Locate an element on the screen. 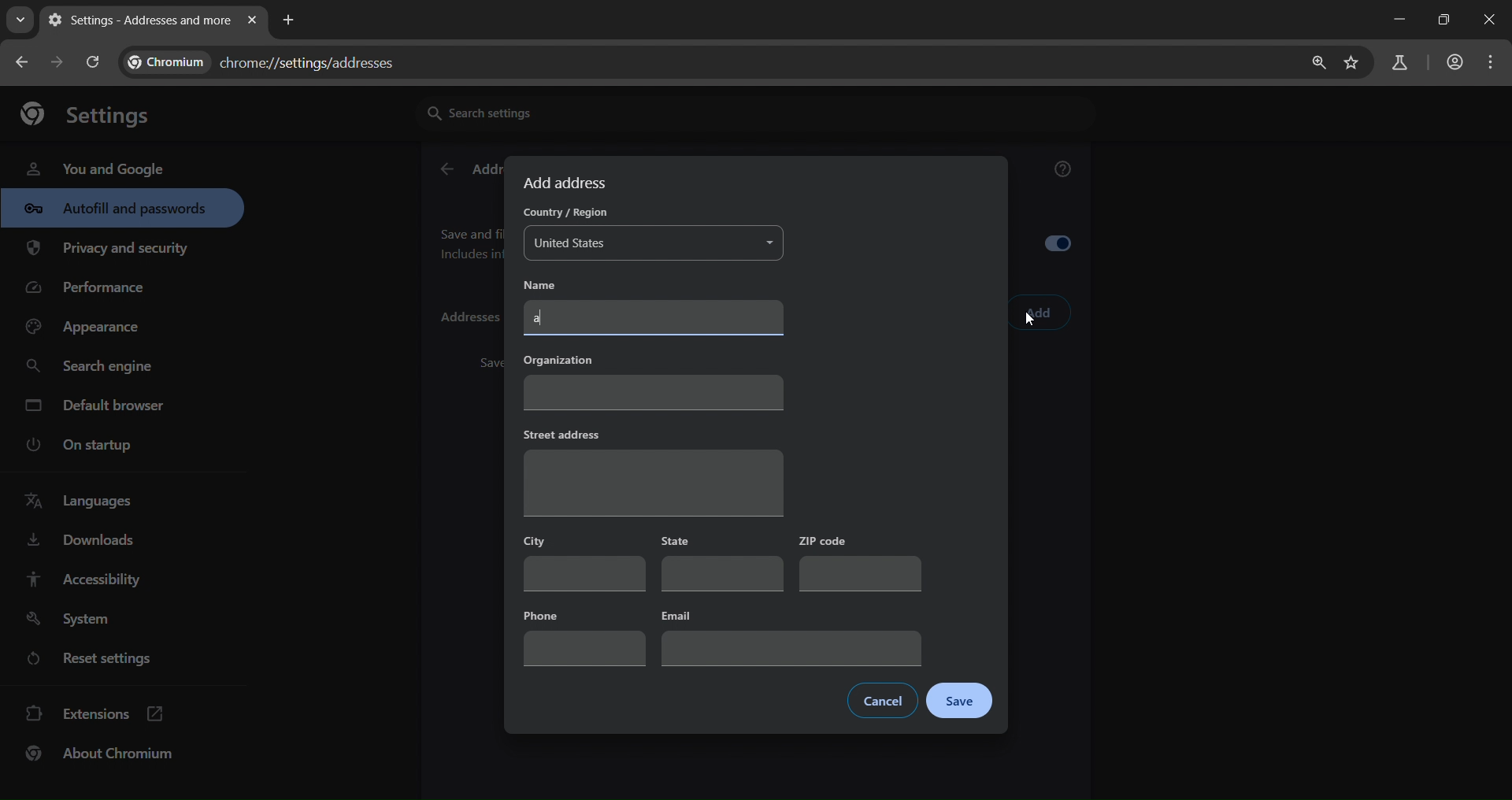 This screenshot has width=1512, height=800. extensions is located at coordinates (95, 712).